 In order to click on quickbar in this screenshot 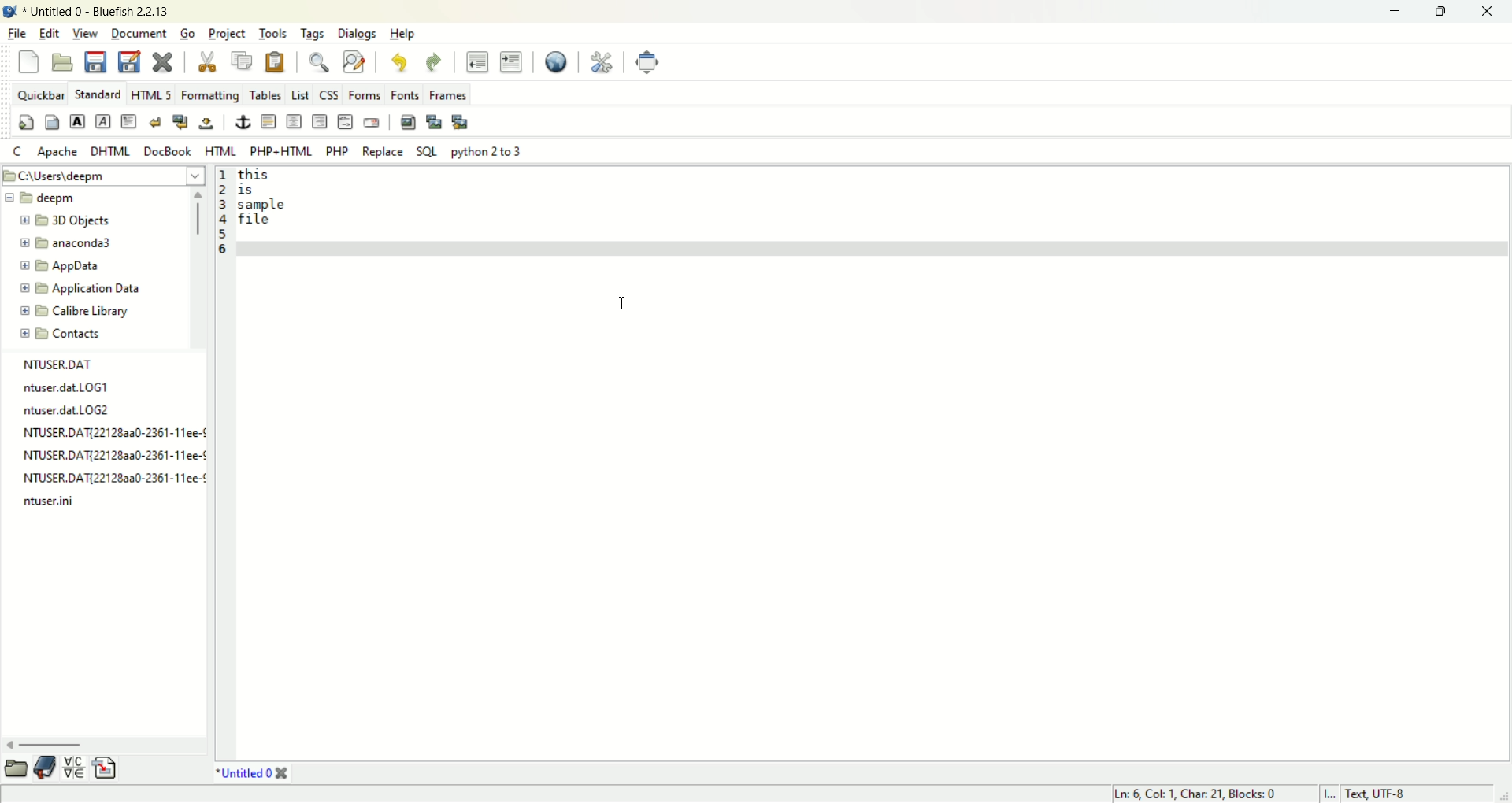, I will do `click(42, 94)`.